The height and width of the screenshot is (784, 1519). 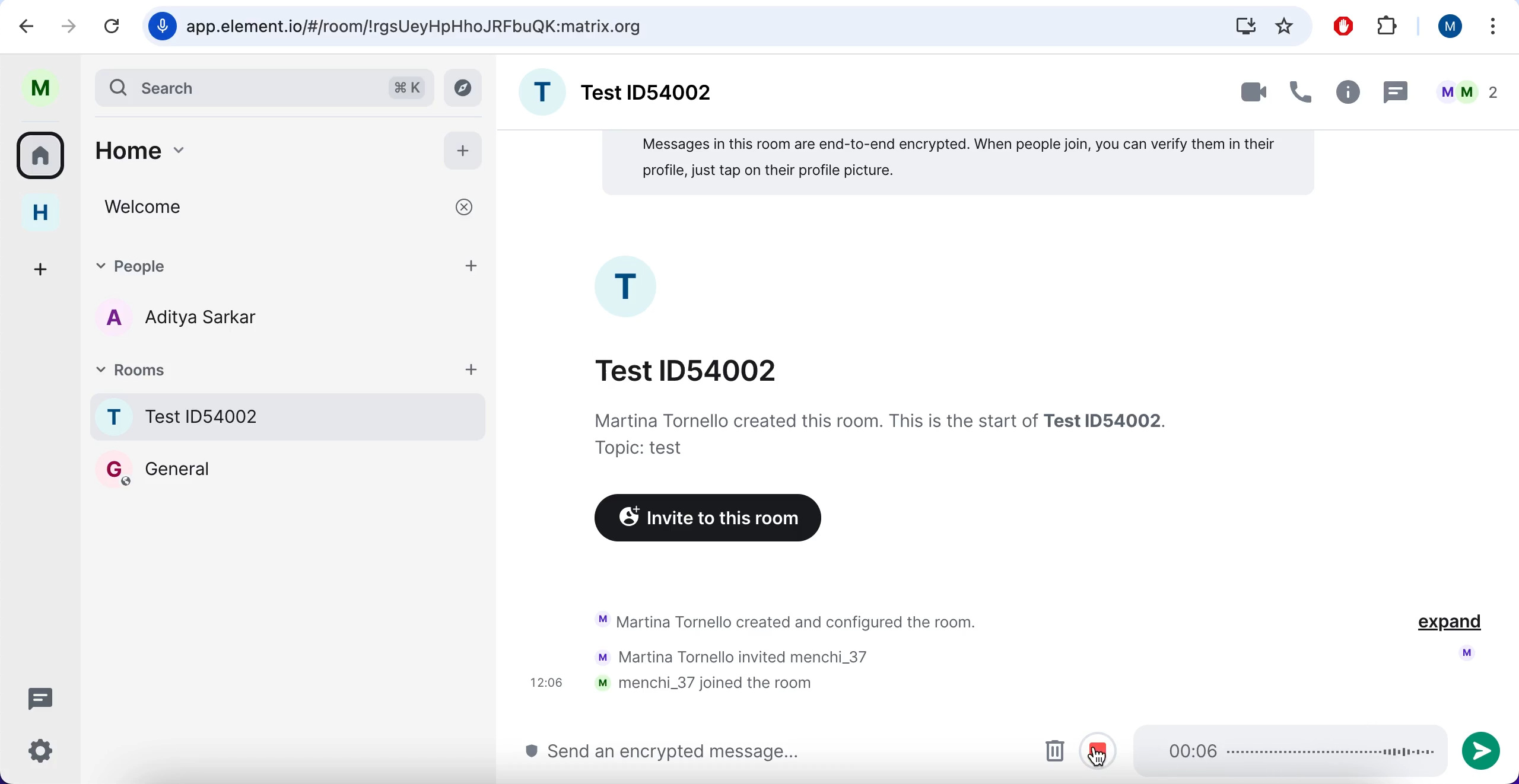 What do you see at coordinates (1285, 26) in the screenshot?
I see `favorites` at bounding box center [1285, 26].